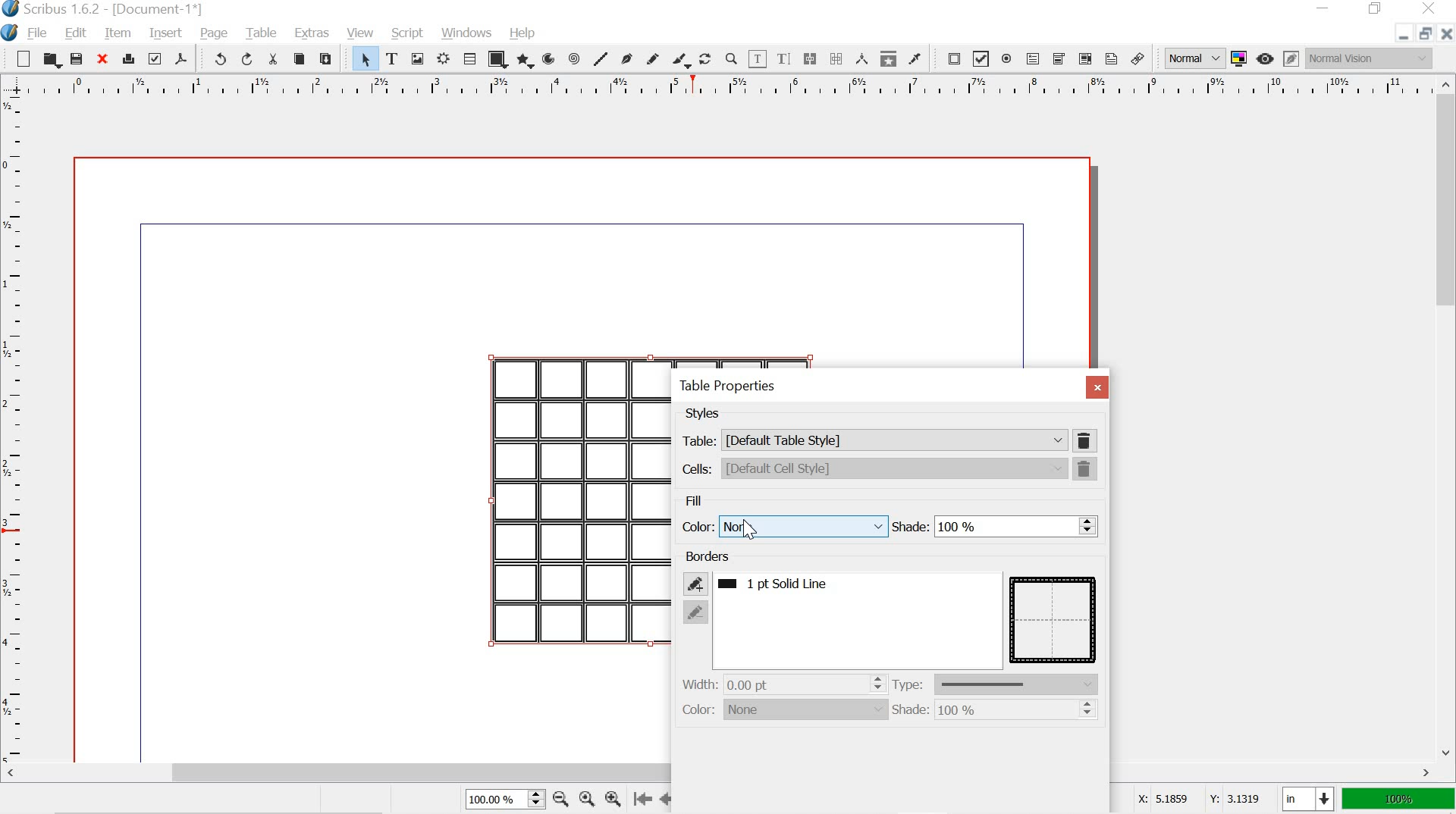 The height and width of the screenshot is (814, 1456). What do you see at coordinates (393, 59) in the screenshot?
I see `text frame` at bounding box center [393, 59].